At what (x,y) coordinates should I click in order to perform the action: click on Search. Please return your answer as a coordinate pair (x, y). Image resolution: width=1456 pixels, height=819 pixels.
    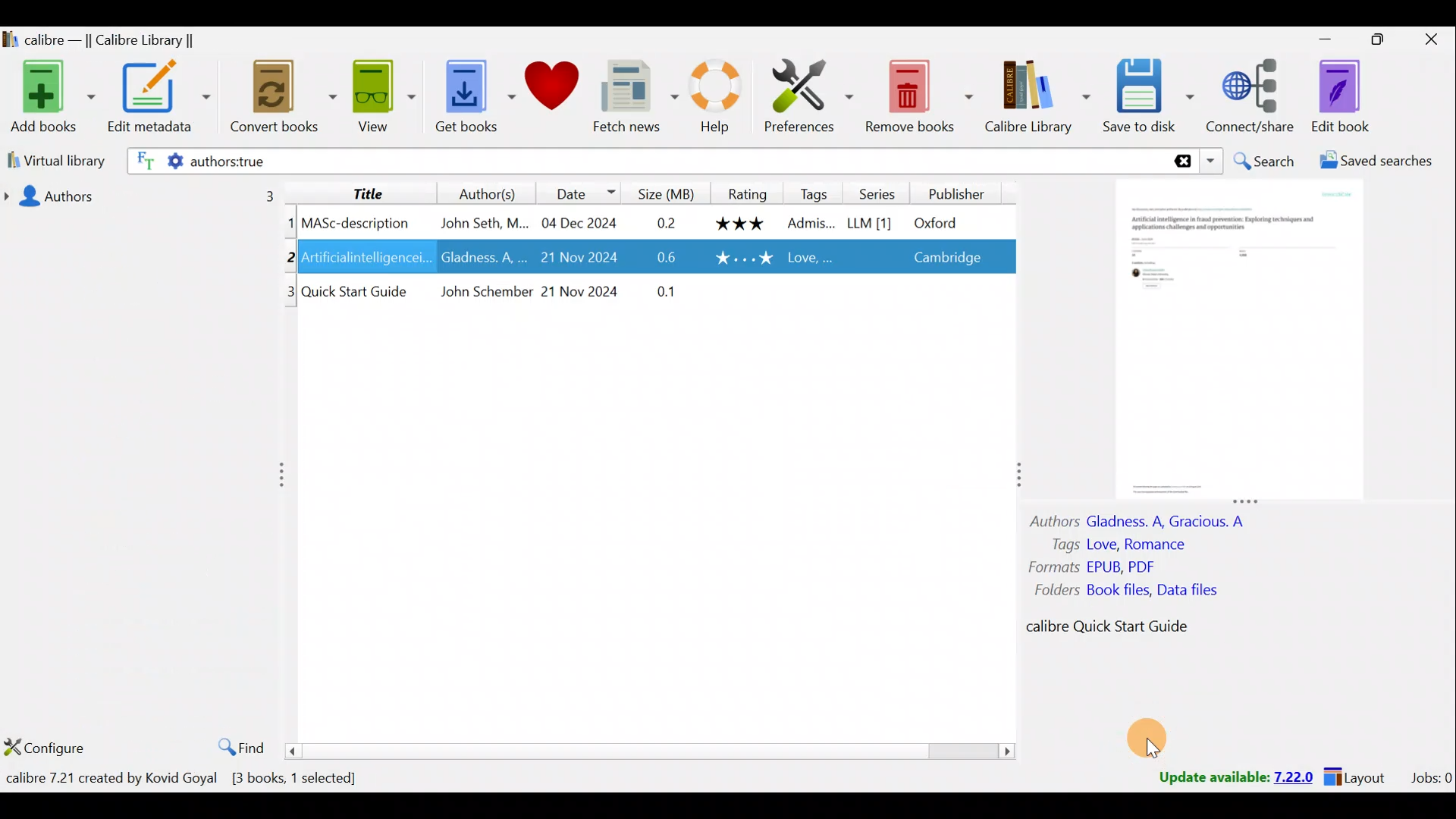
    Looking at the image, I should click on (1263, 161).